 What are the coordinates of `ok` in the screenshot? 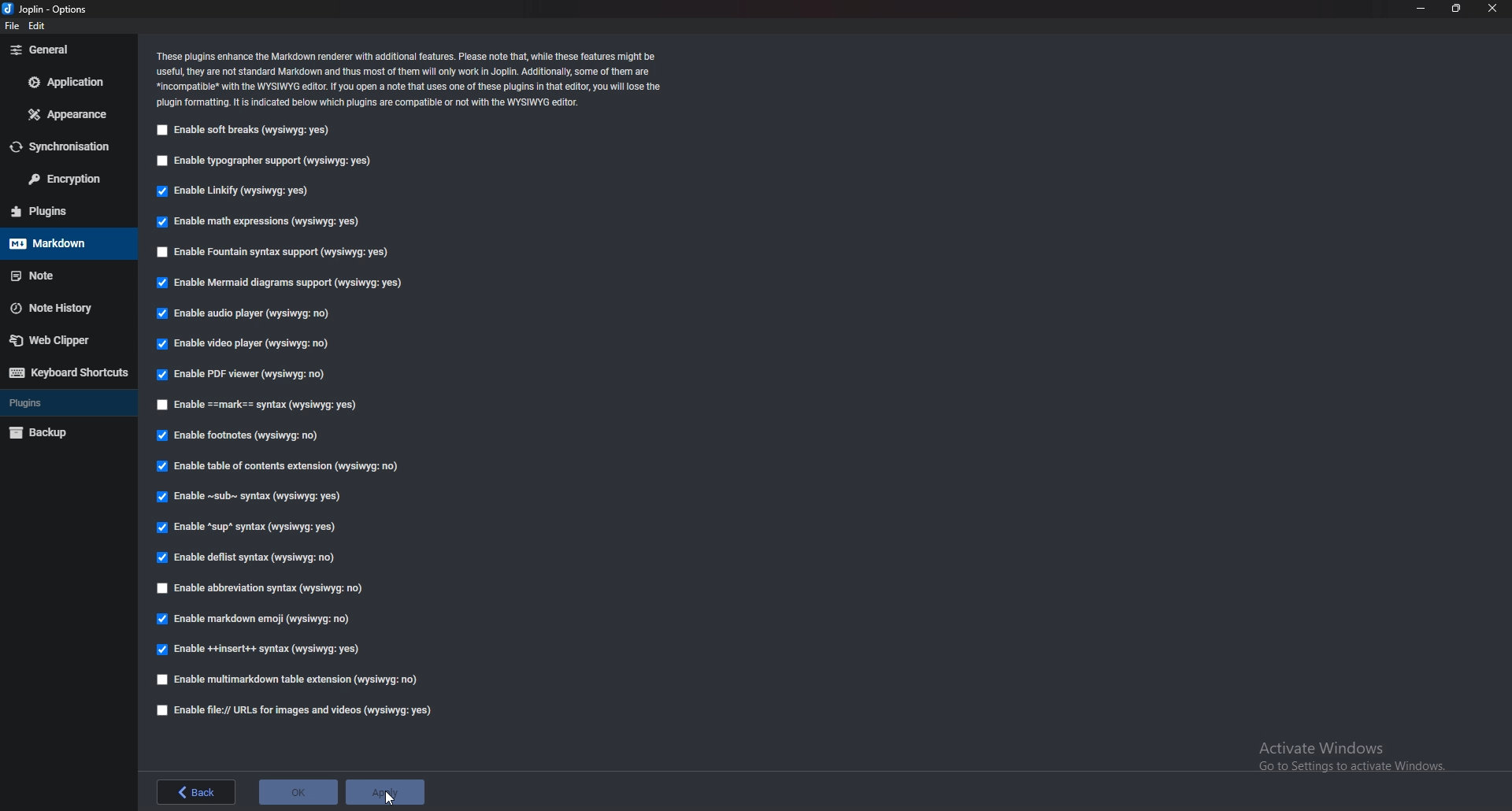 It's located at (299, 791).